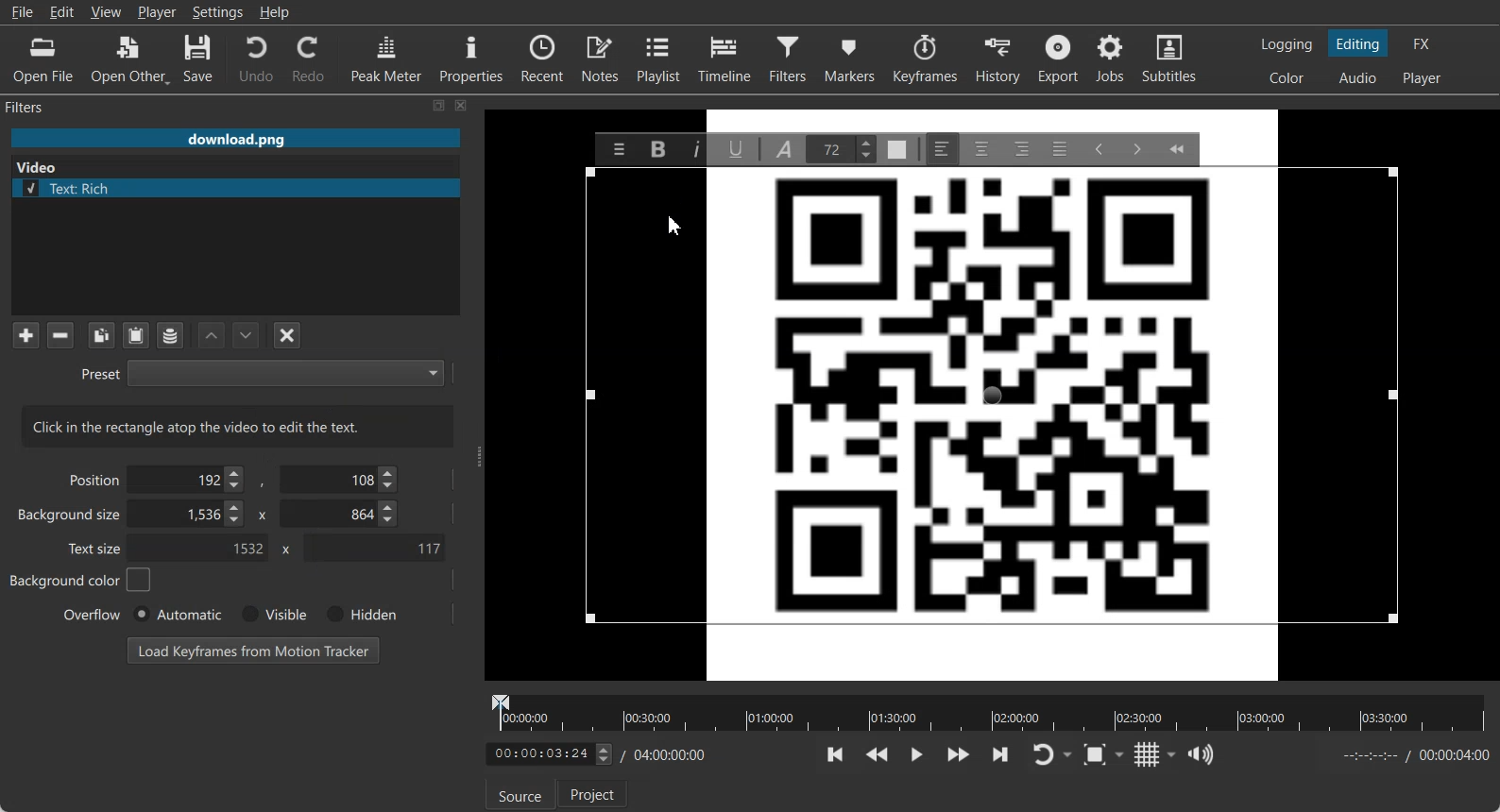 Image resolution: width=1500 pixels, height=812 pixels. What do you see at coordinates (1135, 148) in the screenshot?
I see `Insert Indent` at bounding box center [1135, 148].